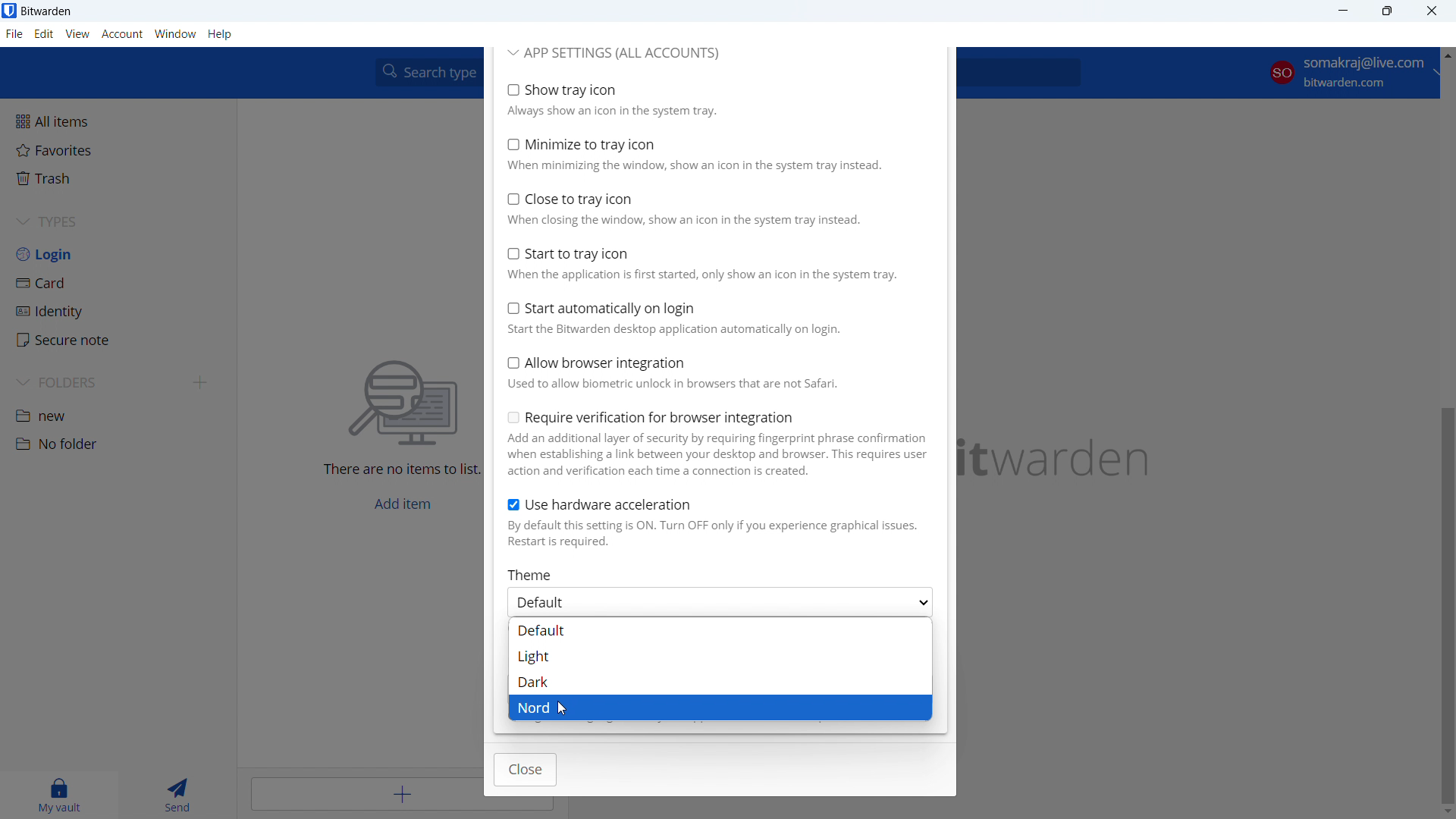 The image size is (1456, 819). What do you see at coordinates (118, 222) in the screenshot?
I see `types` at bounding box center [118, 222].